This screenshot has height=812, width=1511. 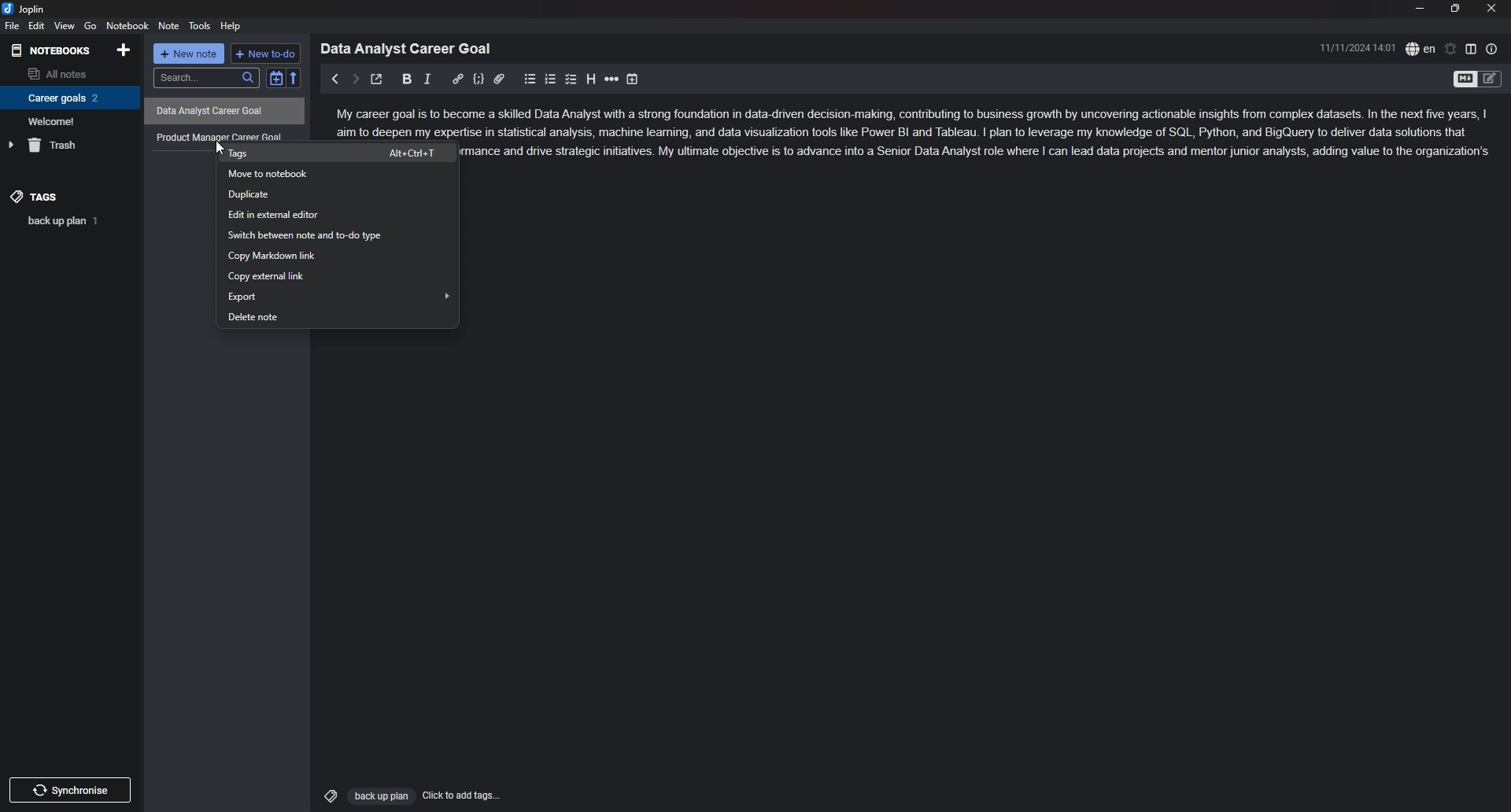 What do you see at coordinates (67, 98) in the screenshot?
I see `Career goals 2` at bounding box center [67, 98].